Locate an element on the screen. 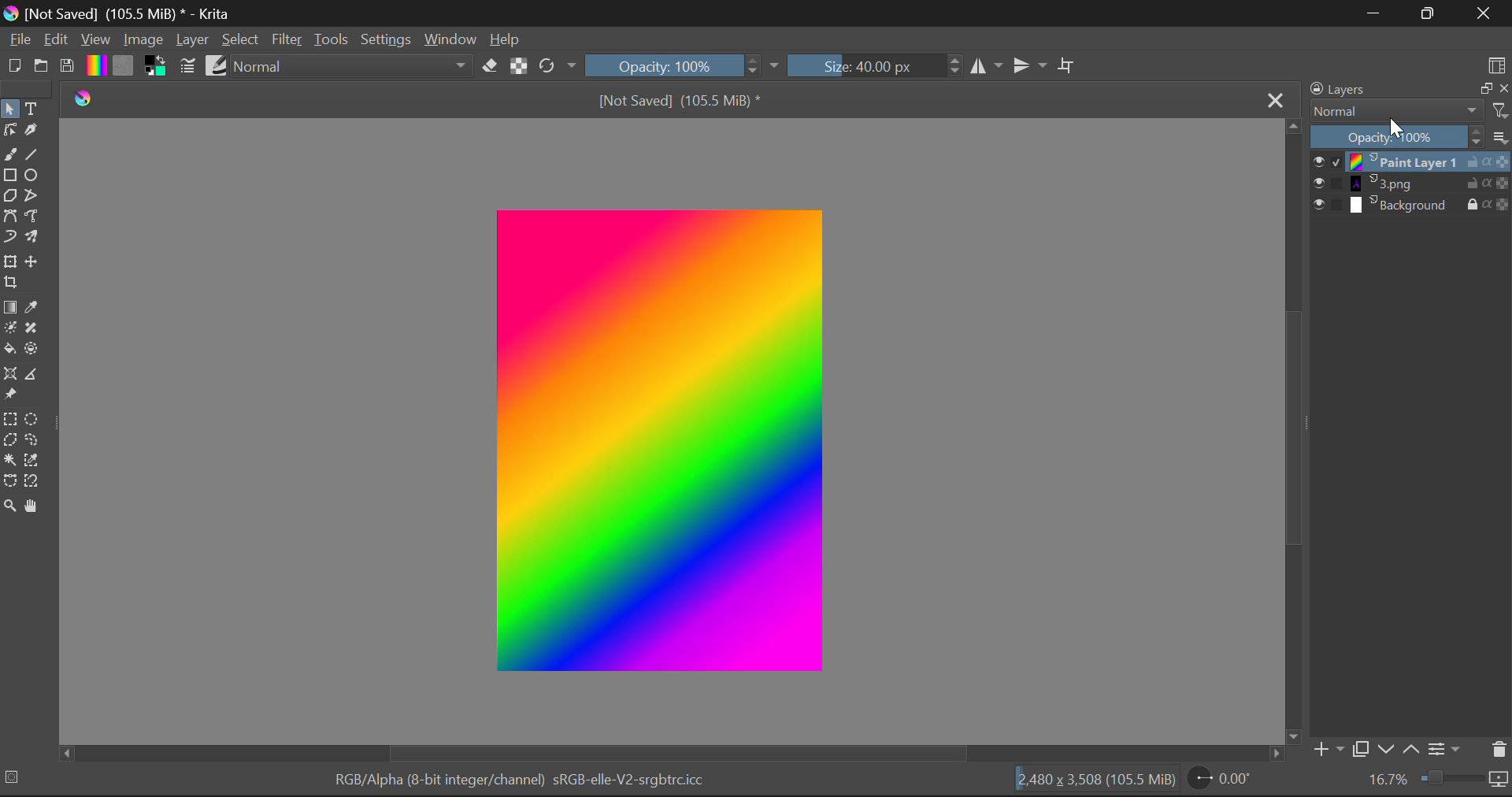 The width and height of the screenshot is (1512, 797). Fill is located at coordinates (10, 350).